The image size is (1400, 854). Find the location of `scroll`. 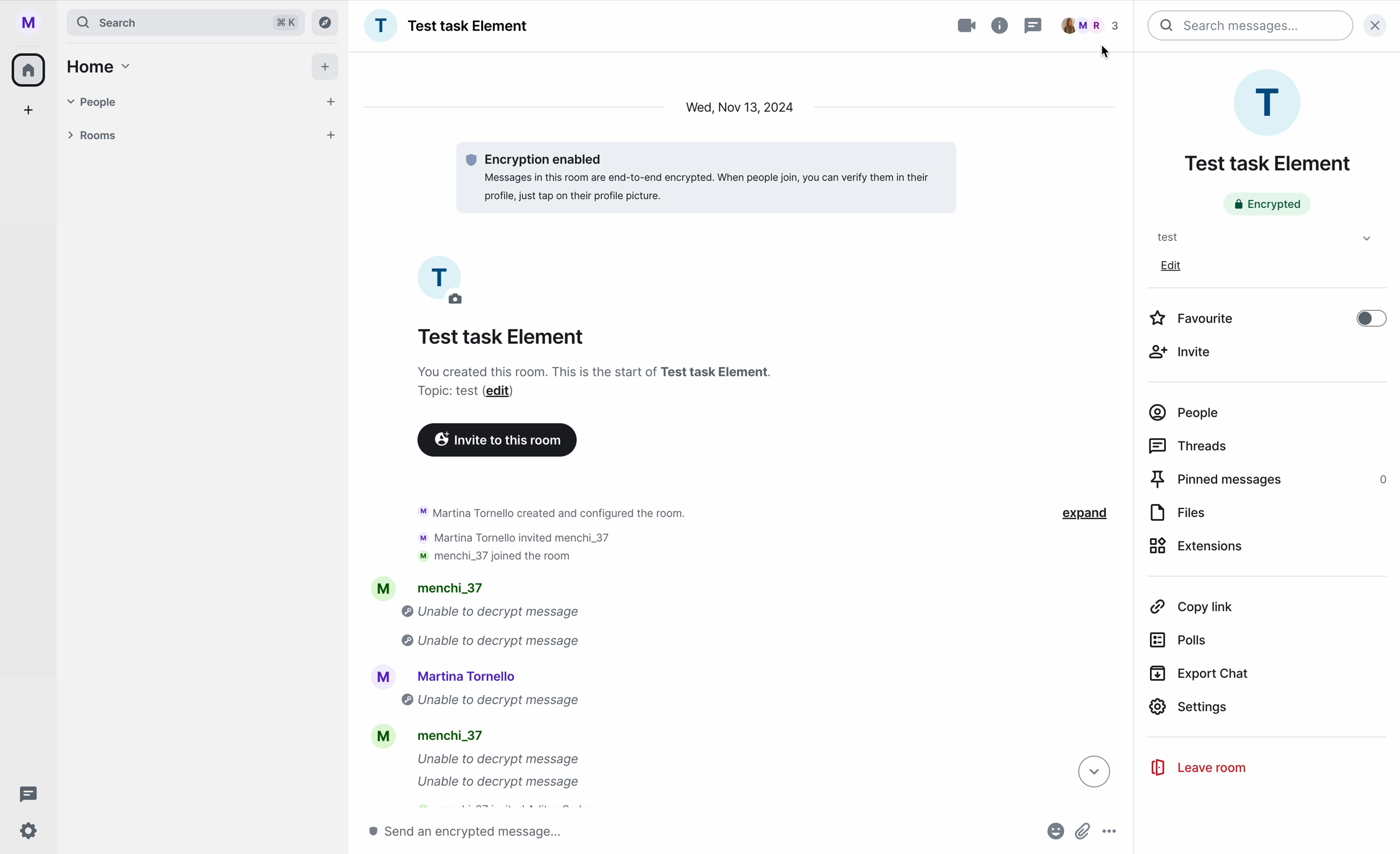

scroll is located at coordinates (1128, 427).